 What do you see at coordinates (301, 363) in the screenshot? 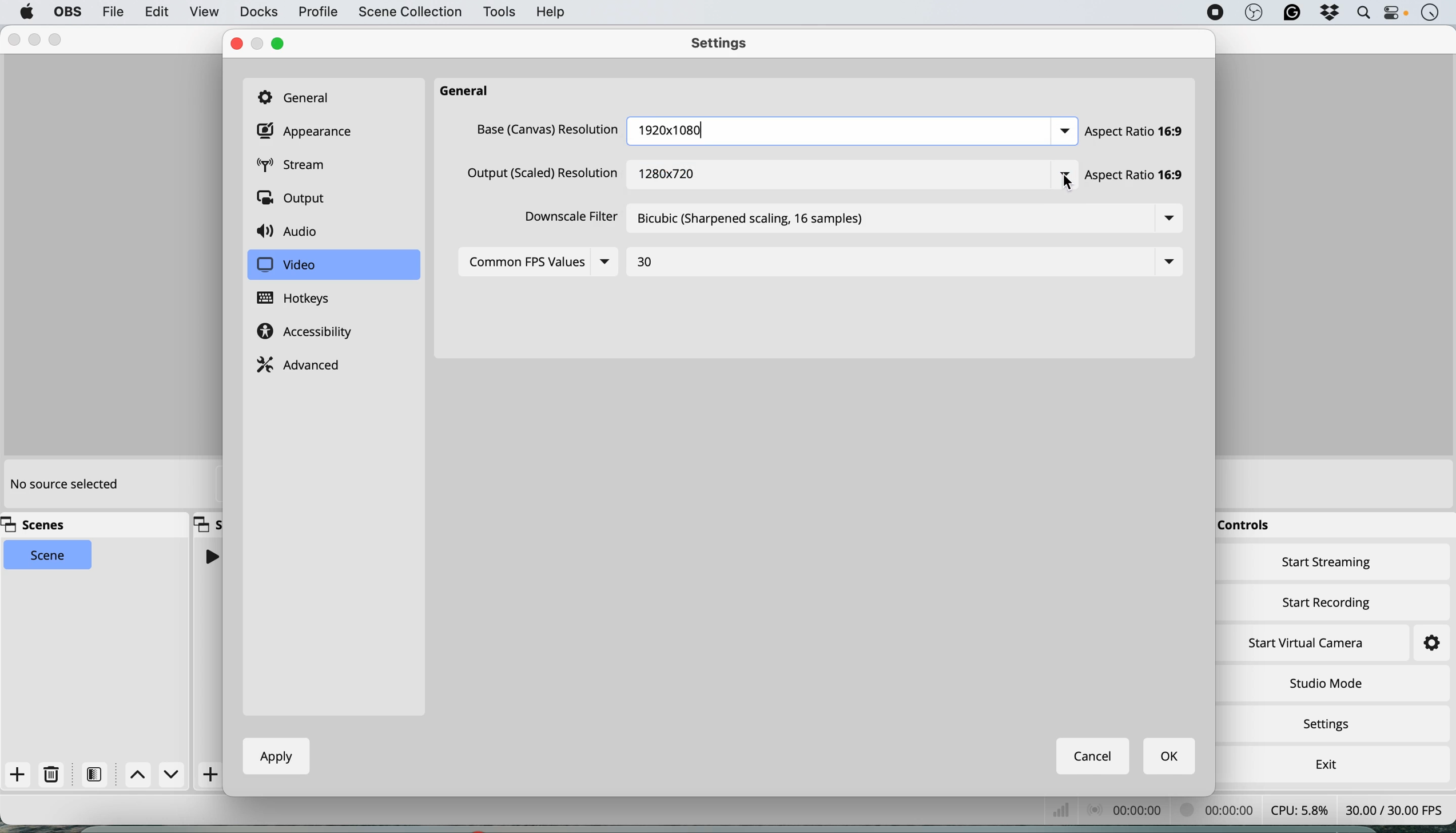
I see `advanced` at bounding box center [301, 363].